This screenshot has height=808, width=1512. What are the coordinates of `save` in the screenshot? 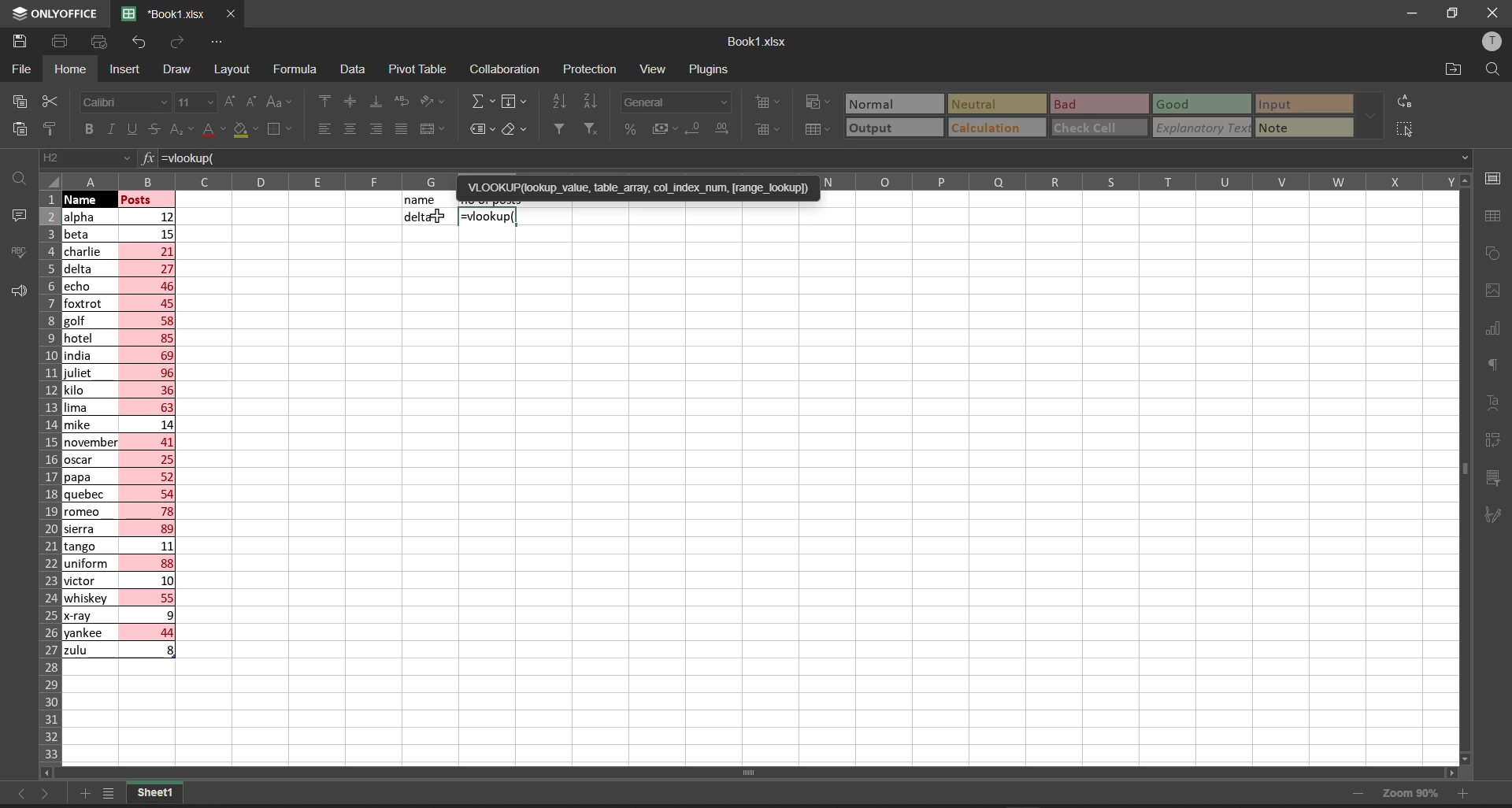 It's located at (19, 42).